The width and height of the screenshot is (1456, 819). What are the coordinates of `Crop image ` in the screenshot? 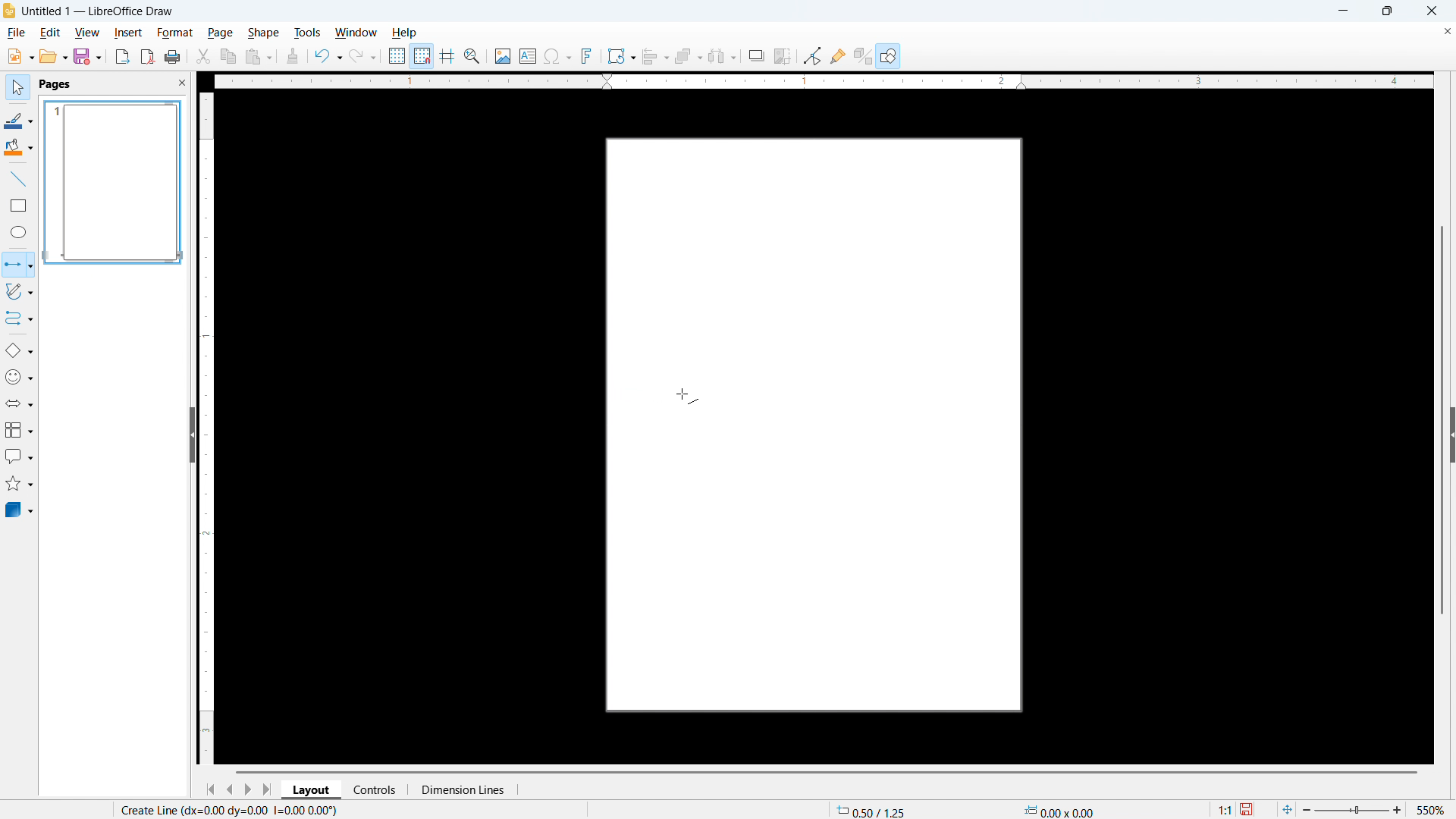 It's located at (783, 55).